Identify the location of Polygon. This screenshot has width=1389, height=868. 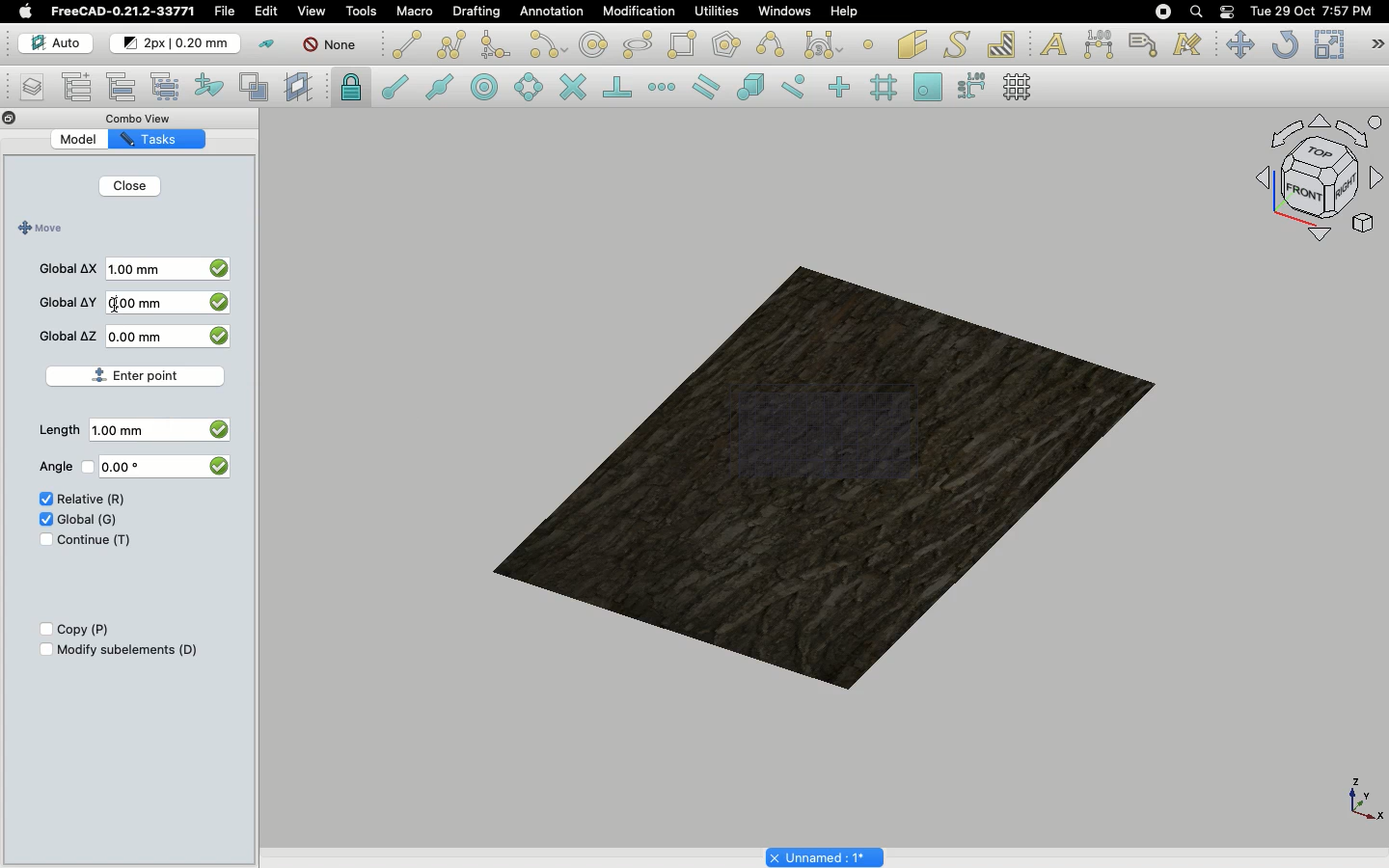
(728, 47).